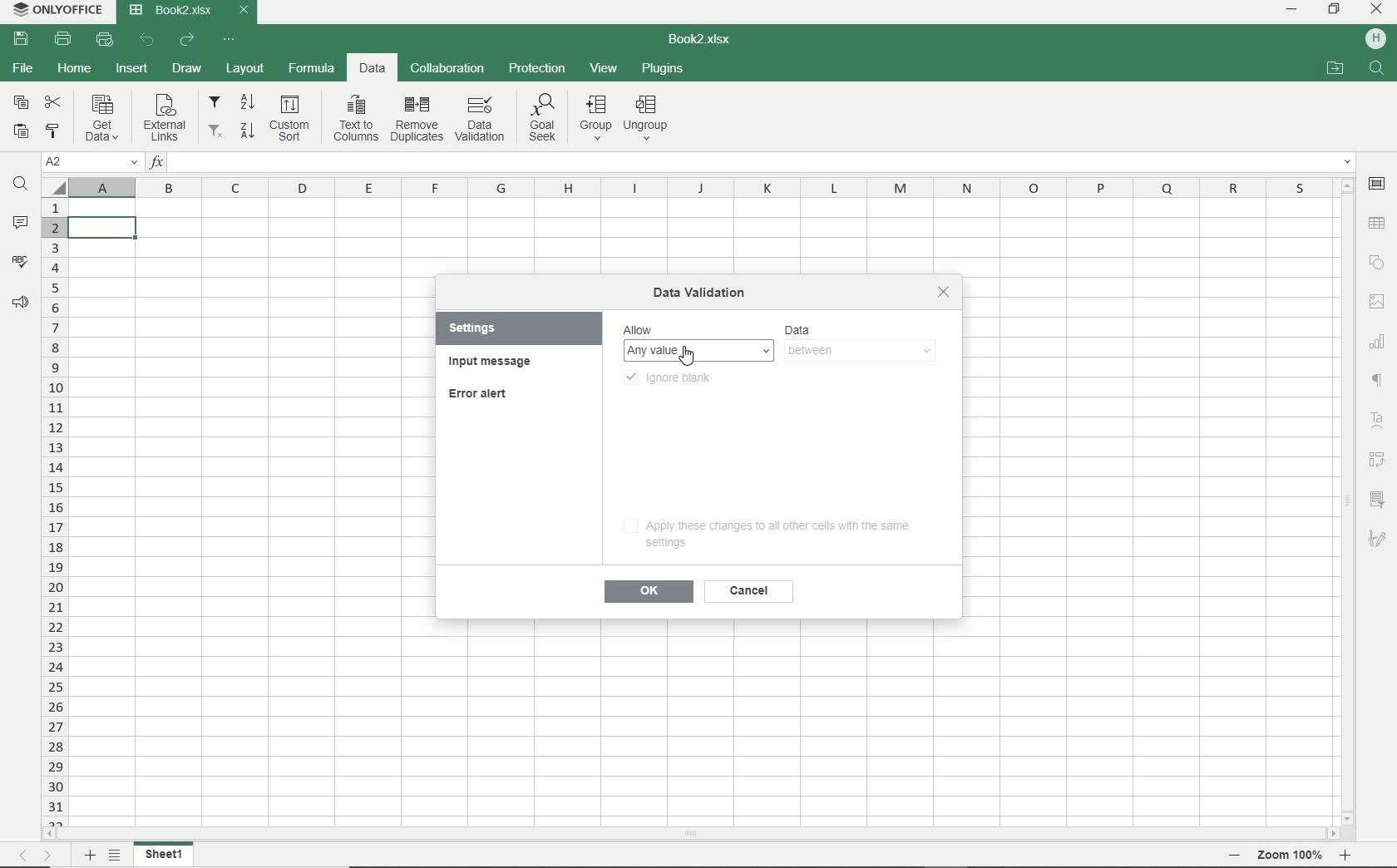 The width and height of the screenshot is (1397, 868). I want to click on MINIMIZE, so click(1291, 8).